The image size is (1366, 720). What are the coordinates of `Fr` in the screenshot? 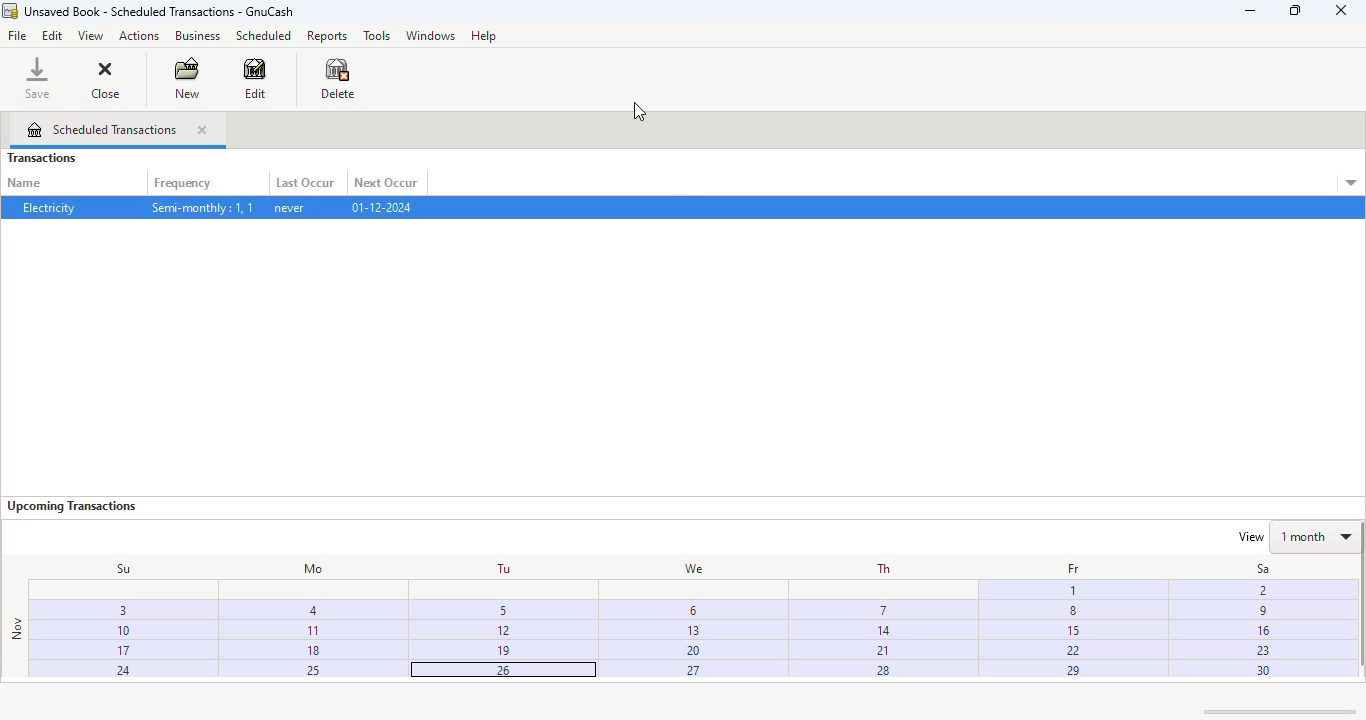 It's located at (1069, 569).